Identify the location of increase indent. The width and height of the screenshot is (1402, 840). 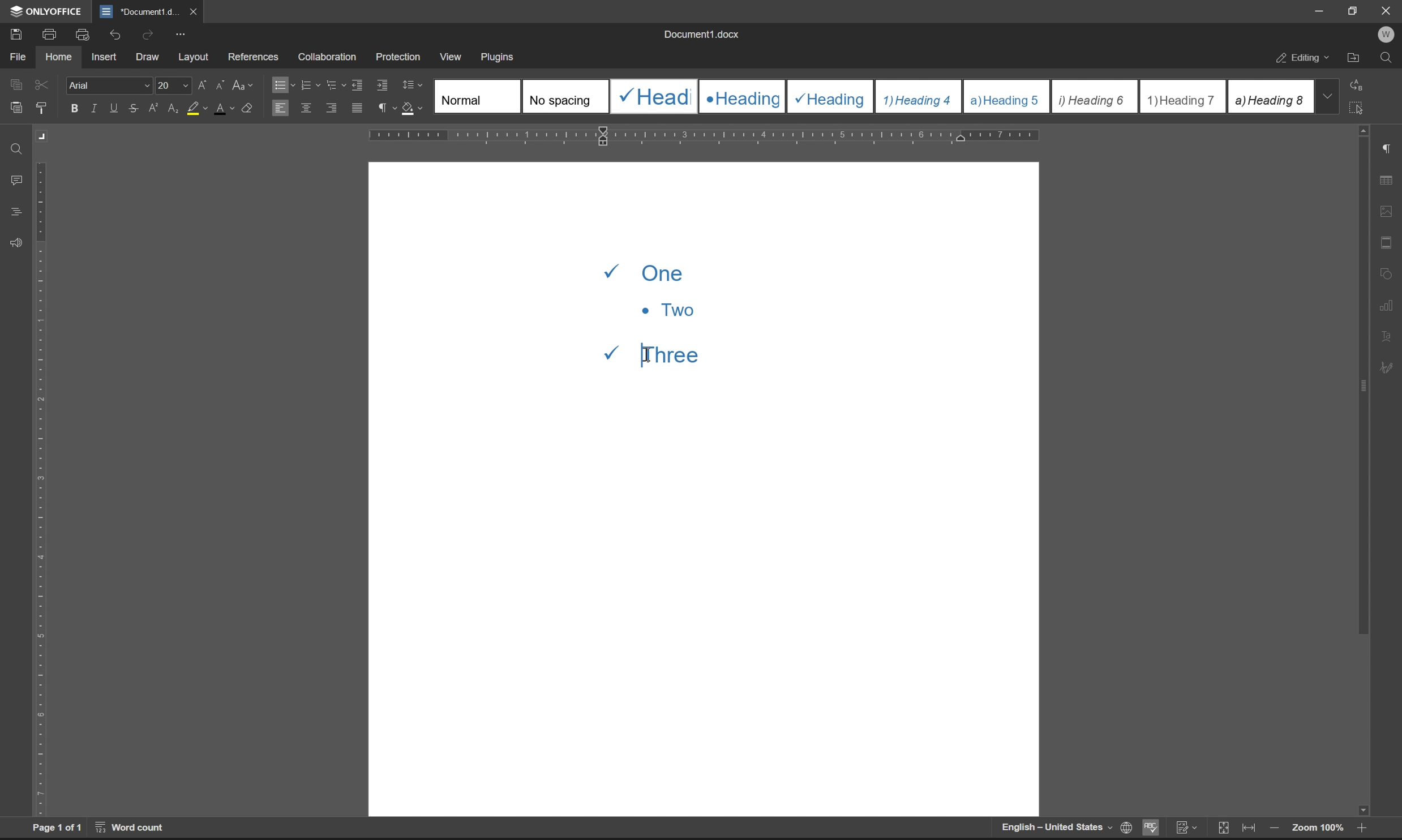
(383, 85).